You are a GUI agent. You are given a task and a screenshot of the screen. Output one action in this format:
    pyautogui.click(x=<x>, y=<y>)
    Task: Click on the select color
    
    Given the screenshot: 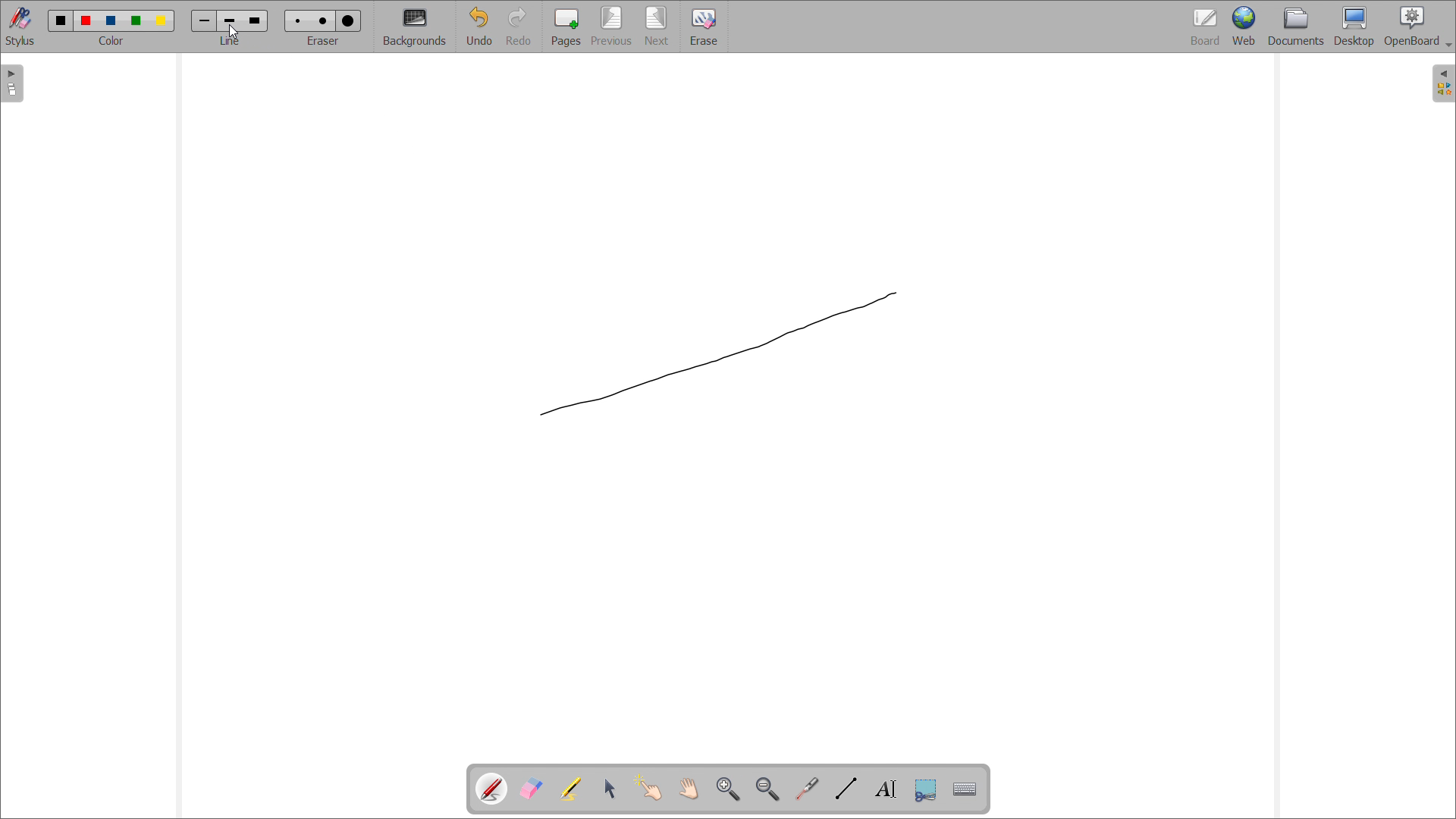 What is the action you would take?
    pyautogui.click(x=110, y=41)
    